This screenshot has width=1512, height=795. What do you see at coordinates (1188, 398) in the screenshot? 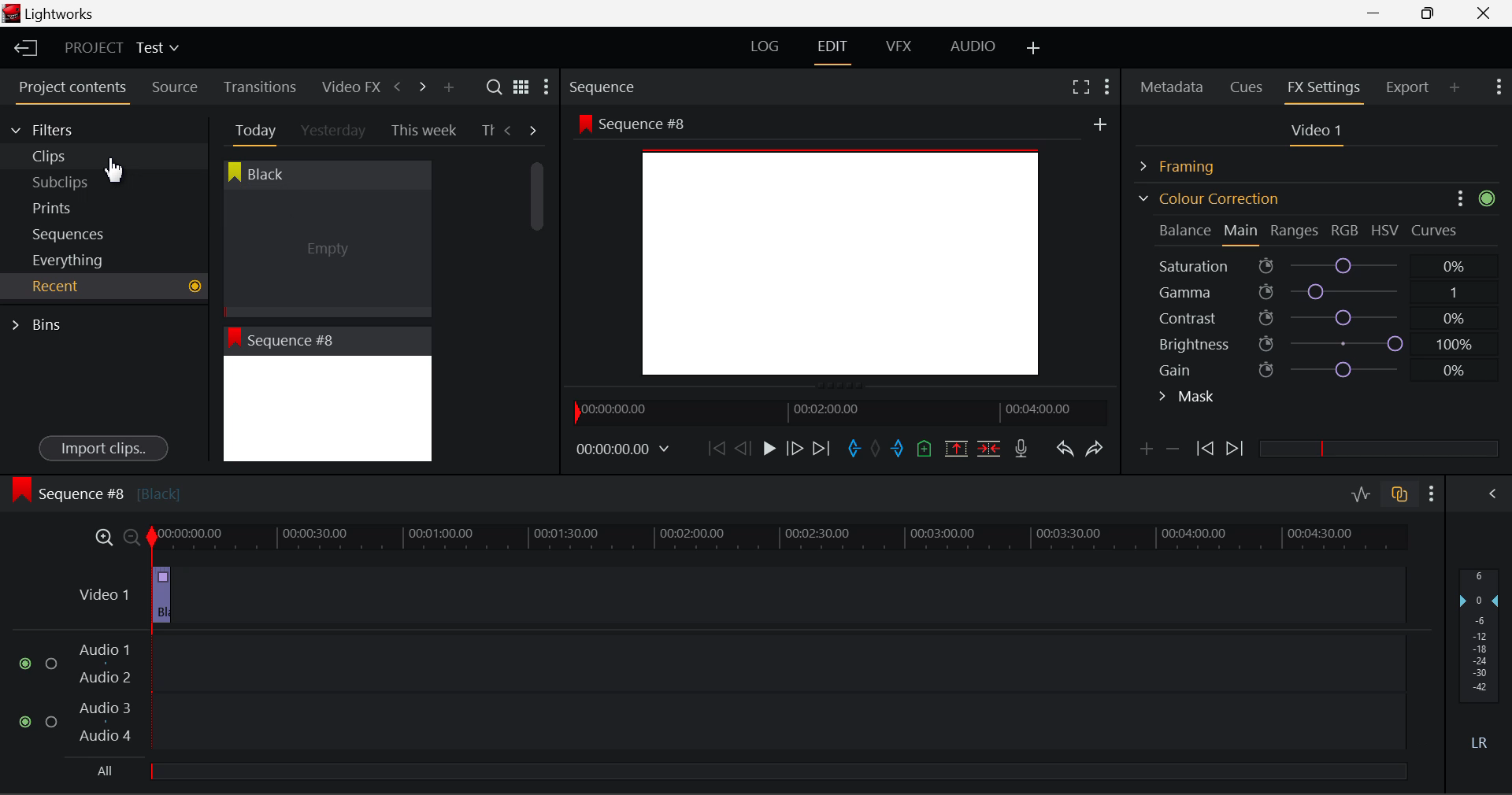
I see `Mask` at bounding box center [1188, 398].